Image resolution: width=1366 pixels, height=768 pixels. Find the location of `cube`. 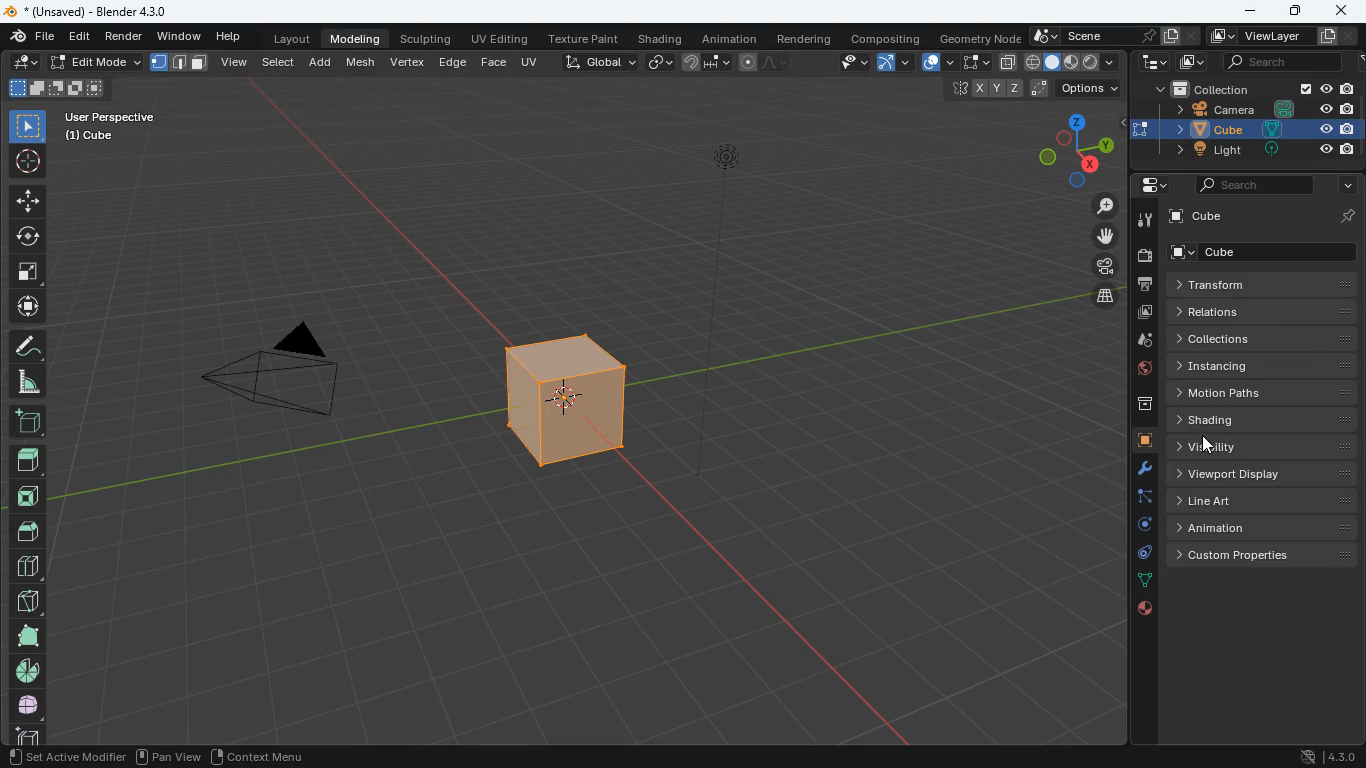

cube is located at coordinates (1267, 216).